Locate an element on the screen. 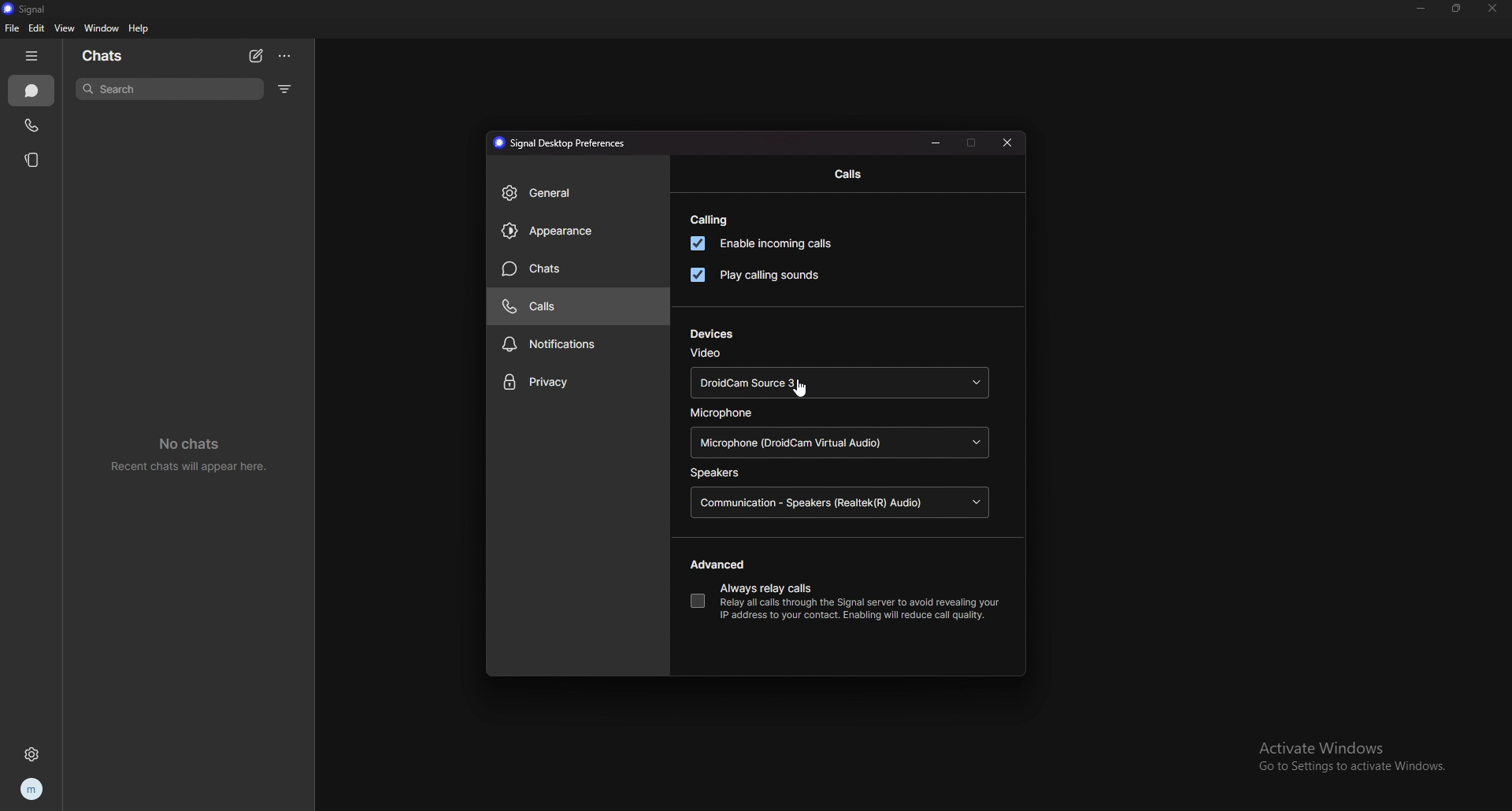 The height and width of the screenshot is (811, 1512). signal is located at coordinates (32, 9).